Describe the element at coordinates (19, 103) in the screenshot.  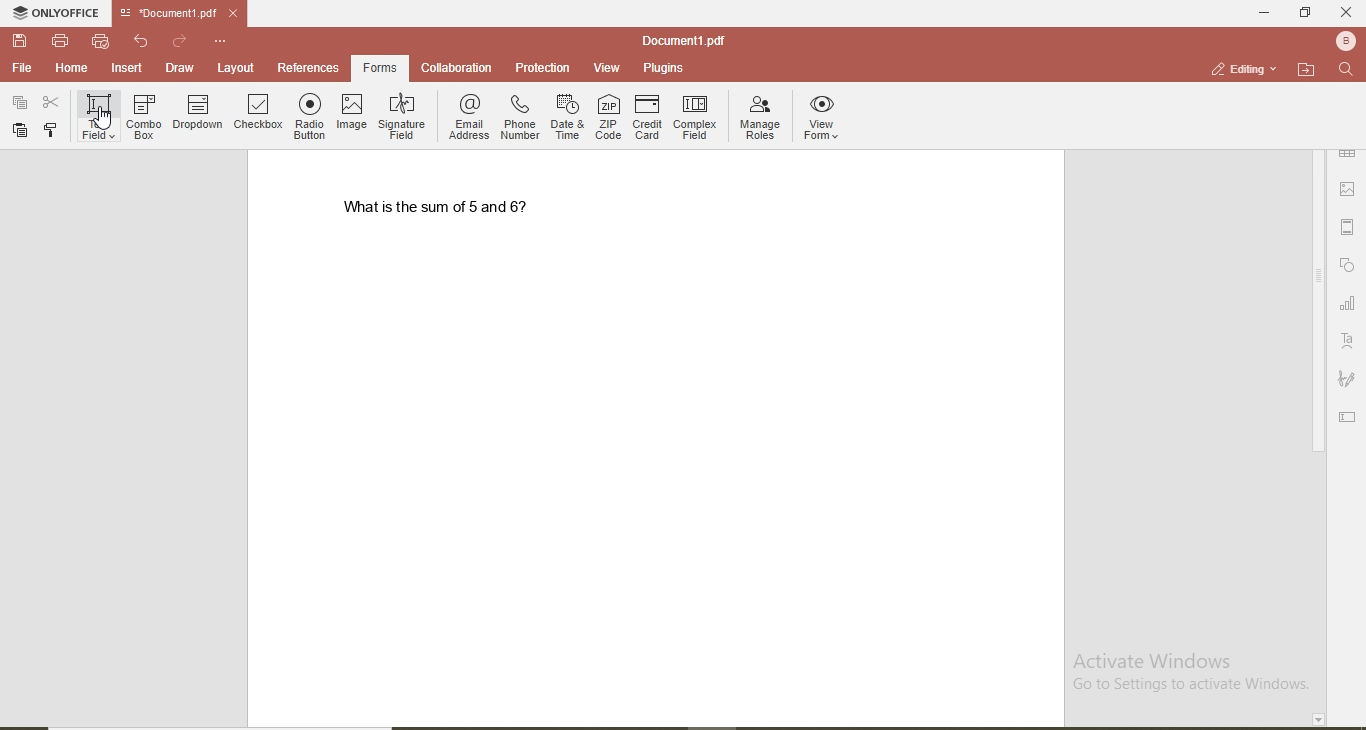
I see `paste special` at that location.